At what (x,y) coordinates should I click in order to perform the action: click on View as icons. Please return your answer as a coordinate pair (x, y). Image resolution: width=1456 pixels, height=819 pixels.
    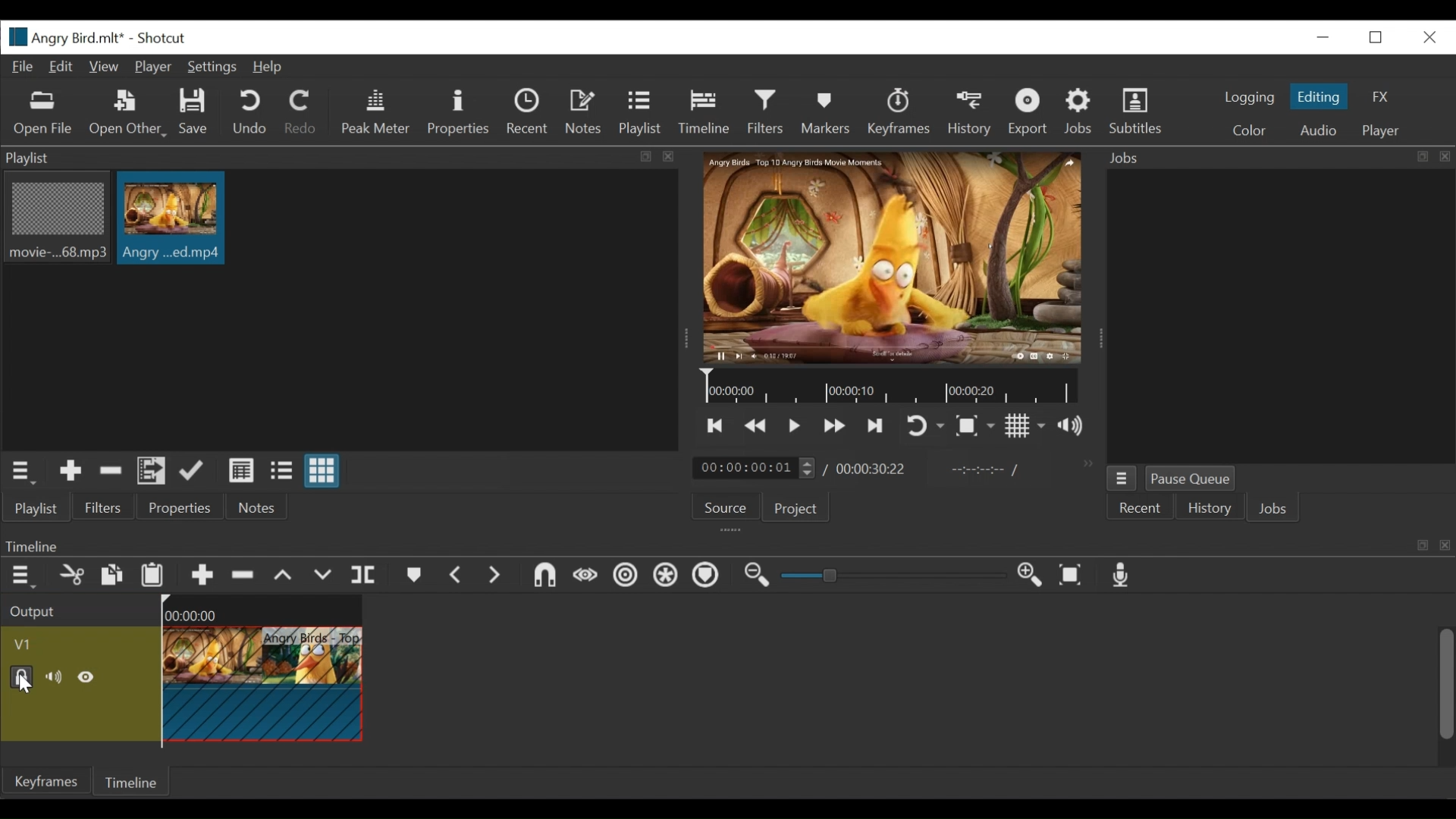
    Looking at the image, I should click on (322, 471).